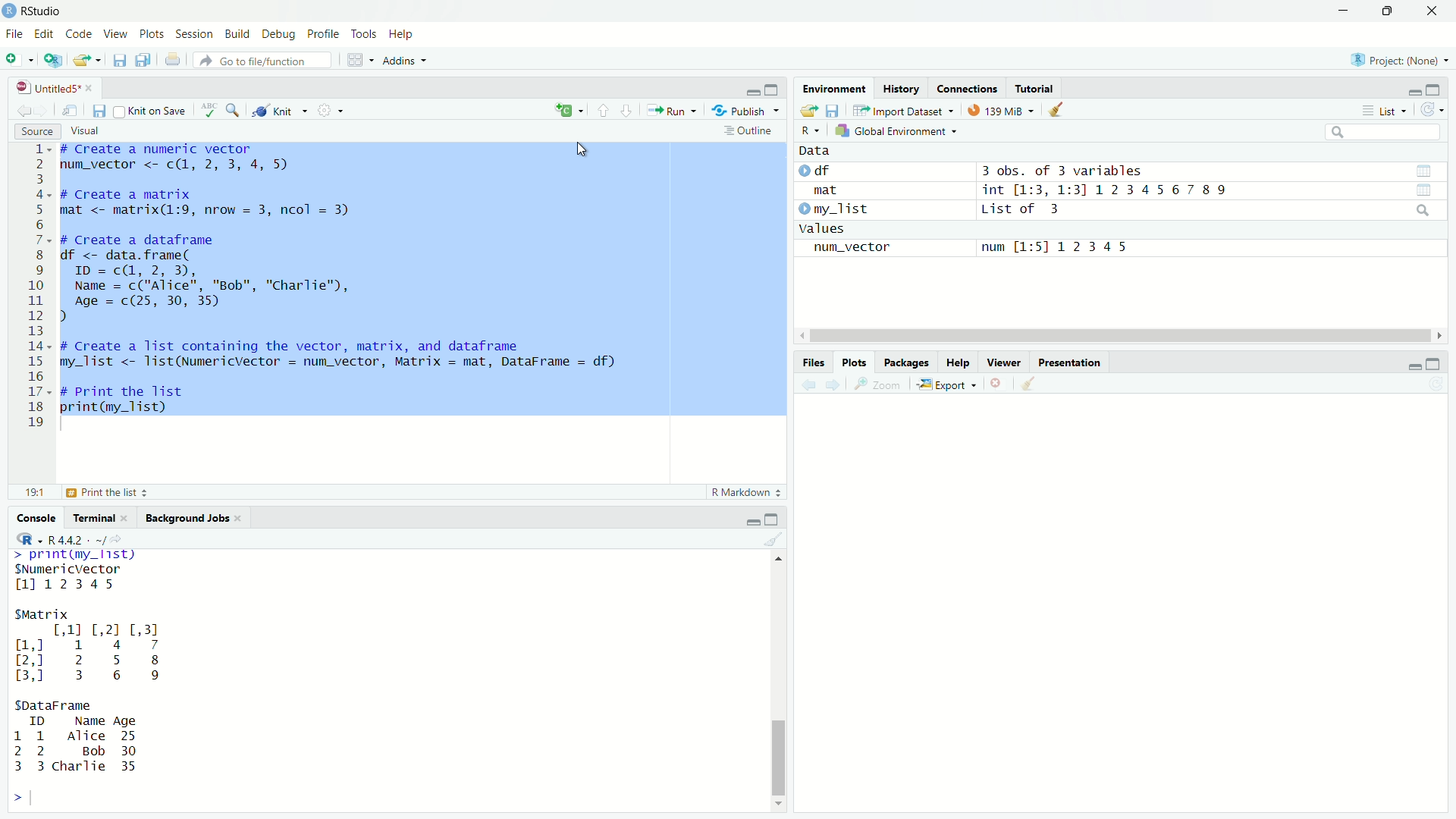 The width and height of the screenshot is (1456, 819). What do you see at coordinates (39, 517) in the screenshot?
I see `Console` at bounding box center [39, 517].